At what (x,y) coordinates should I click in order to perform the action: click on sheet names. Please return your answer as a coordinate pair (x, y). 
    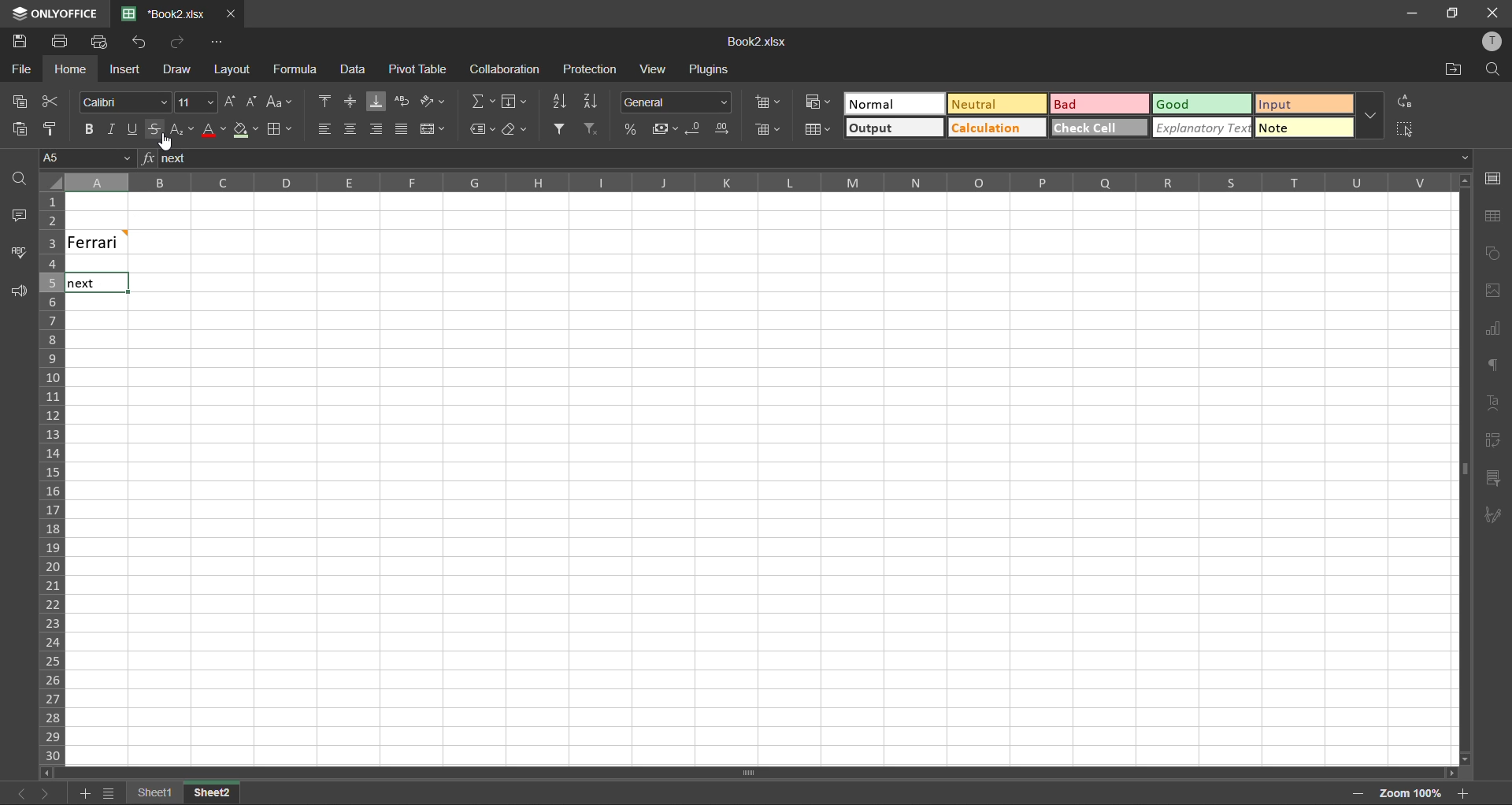
    Looking at the image, I should click on (109, 794).